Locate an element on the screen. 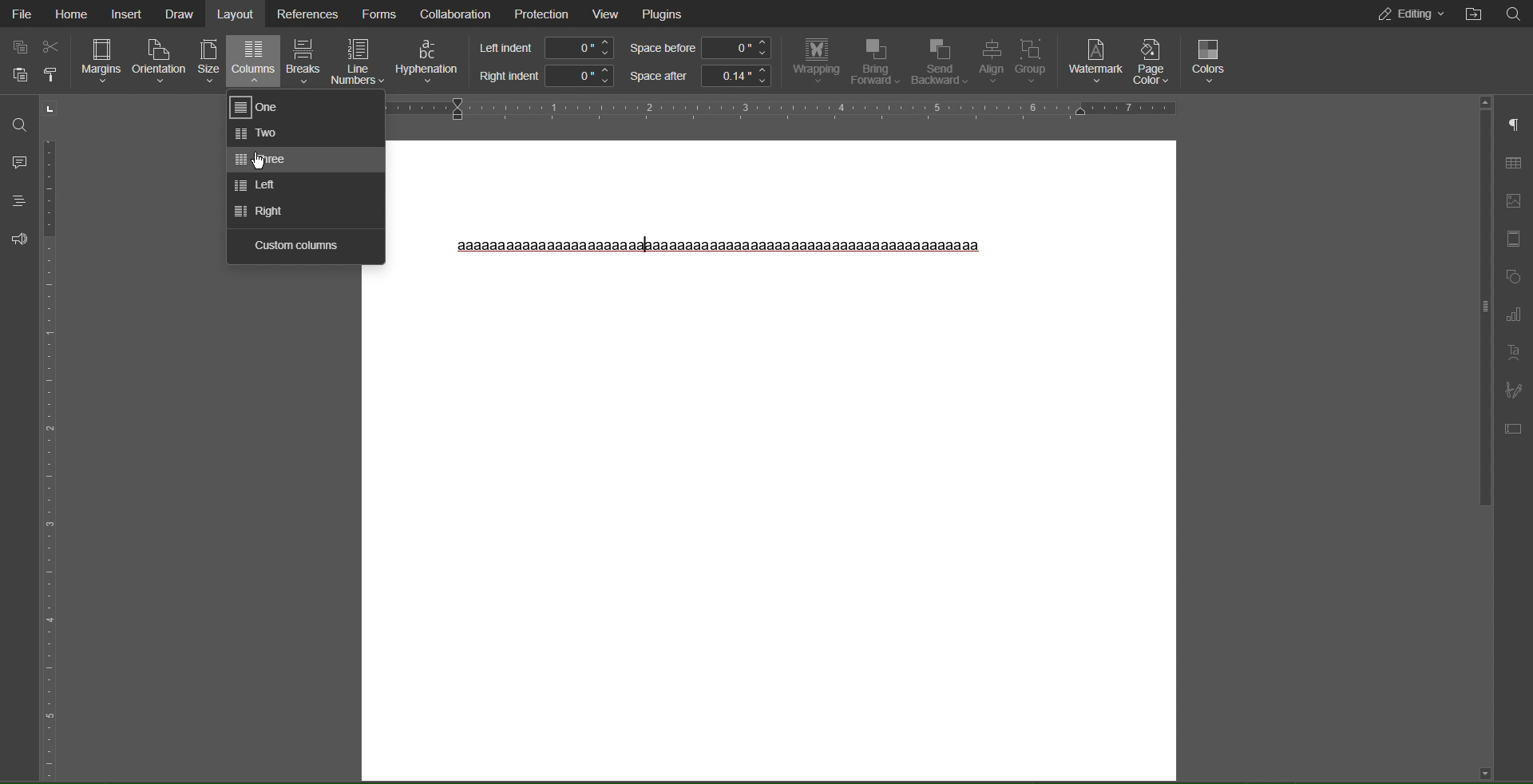 The height and width of the screenshot is (784, 1533). Colors is located at coordinates (1211, 59).